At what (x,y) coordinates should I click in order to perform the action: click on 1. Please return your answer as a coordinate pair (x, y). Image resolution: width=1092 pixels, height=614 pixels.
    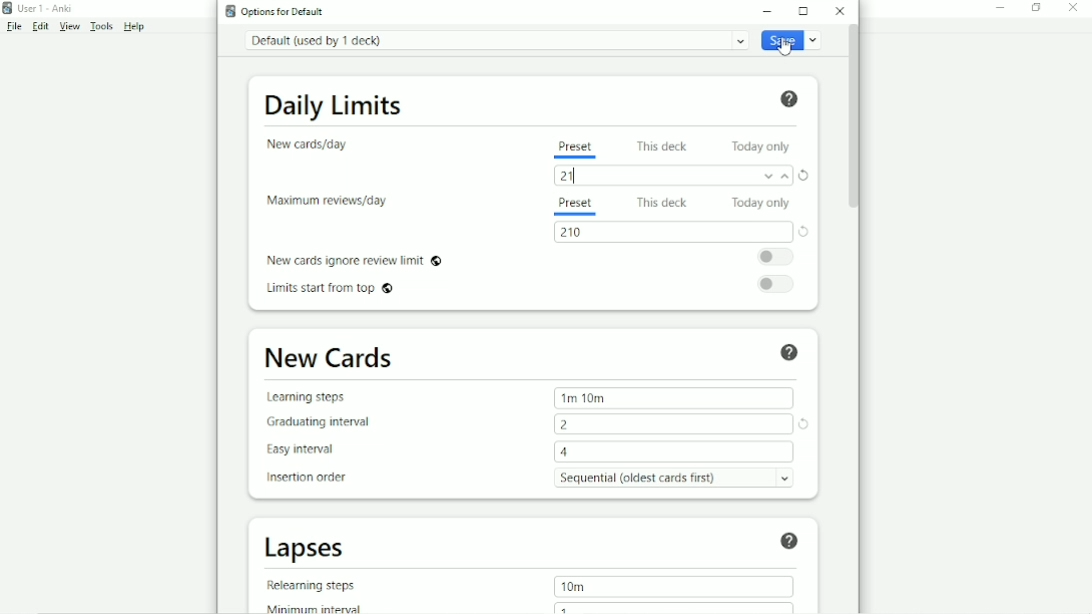
    Looking at the image, I should click on (564, 608).